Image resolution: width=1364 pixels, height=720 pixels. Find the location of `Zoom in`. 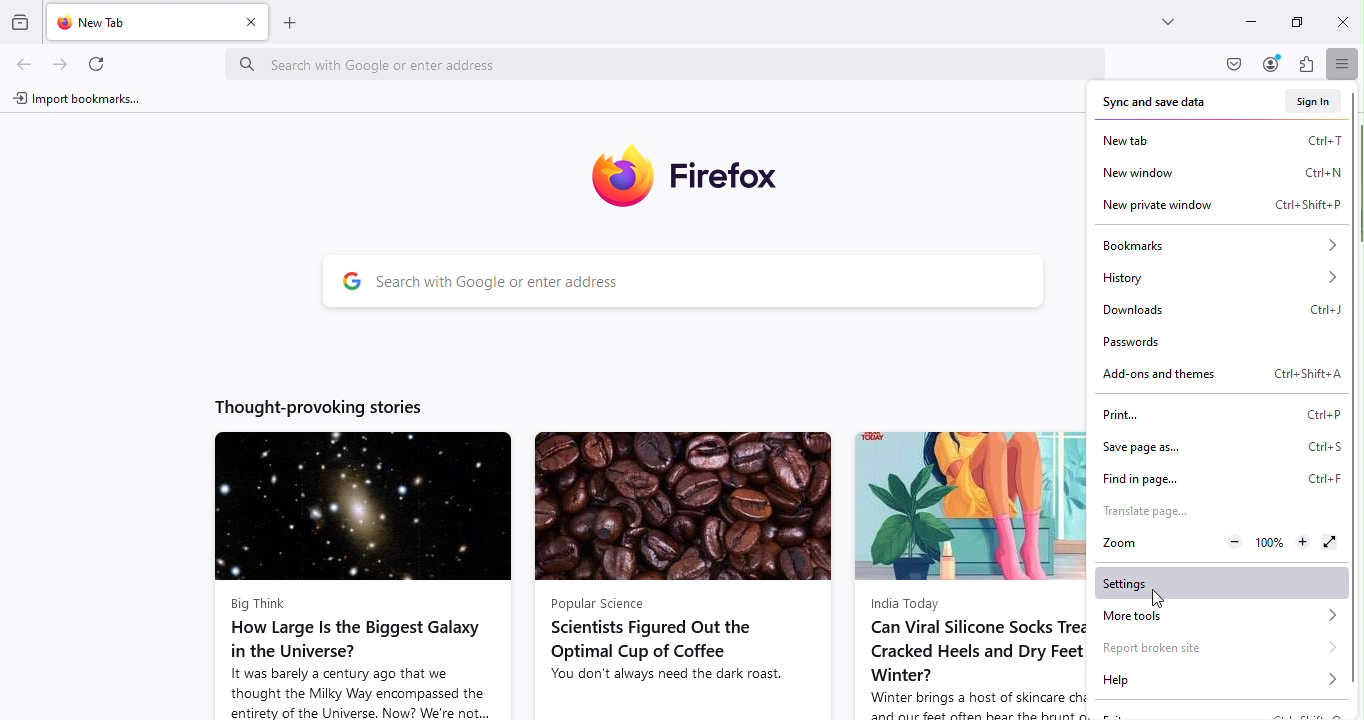

Zoom in is located at coordinates (1299, 543).